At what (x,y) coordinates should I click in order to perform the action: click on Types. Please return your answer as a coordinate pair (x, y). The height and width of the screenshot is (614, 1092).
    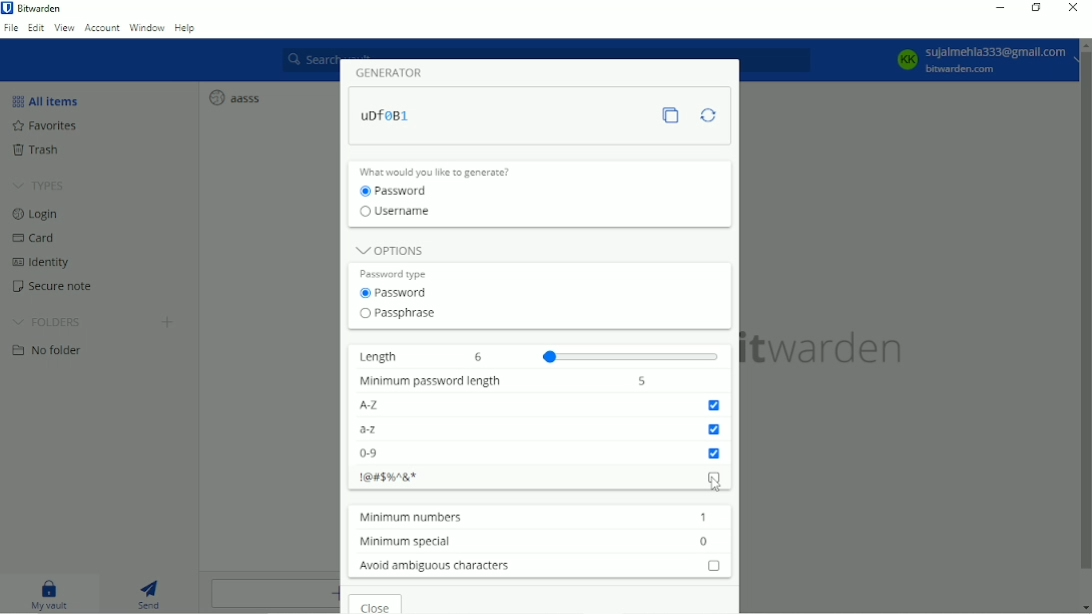
    Looking at the image, I should click on (42, 185).